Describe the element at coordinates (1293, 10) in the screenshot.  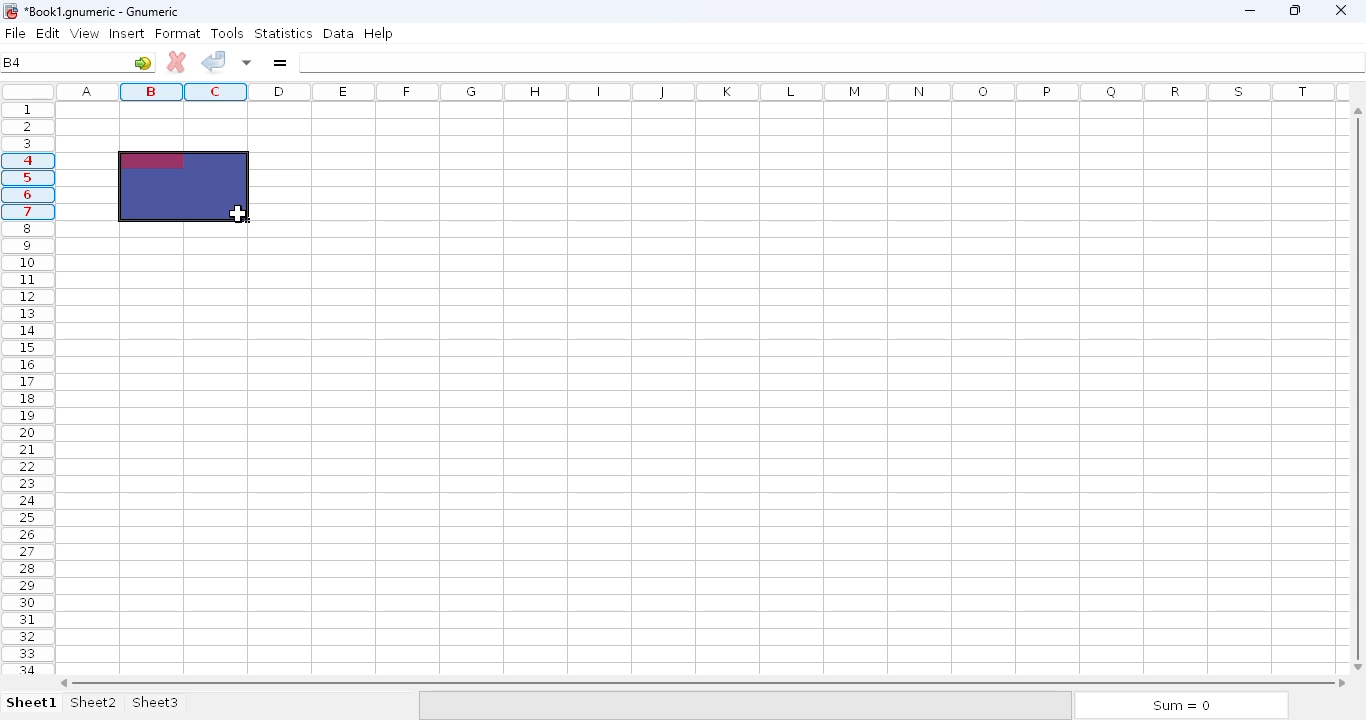
I see `maximize` at that location.